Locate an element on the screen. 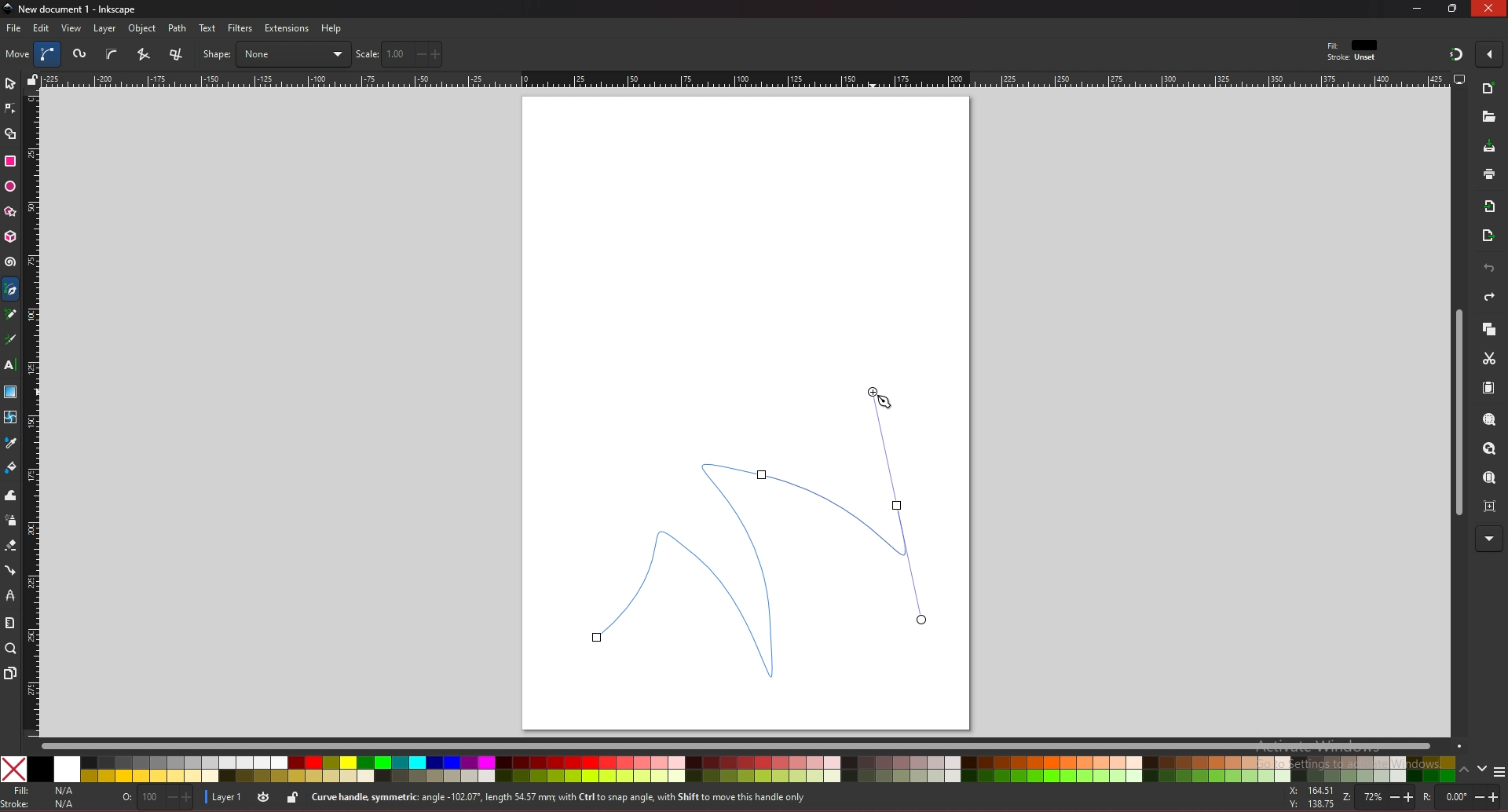 This screenshot has width=1508, height=812. cut is located at coordinates (1489, 359).